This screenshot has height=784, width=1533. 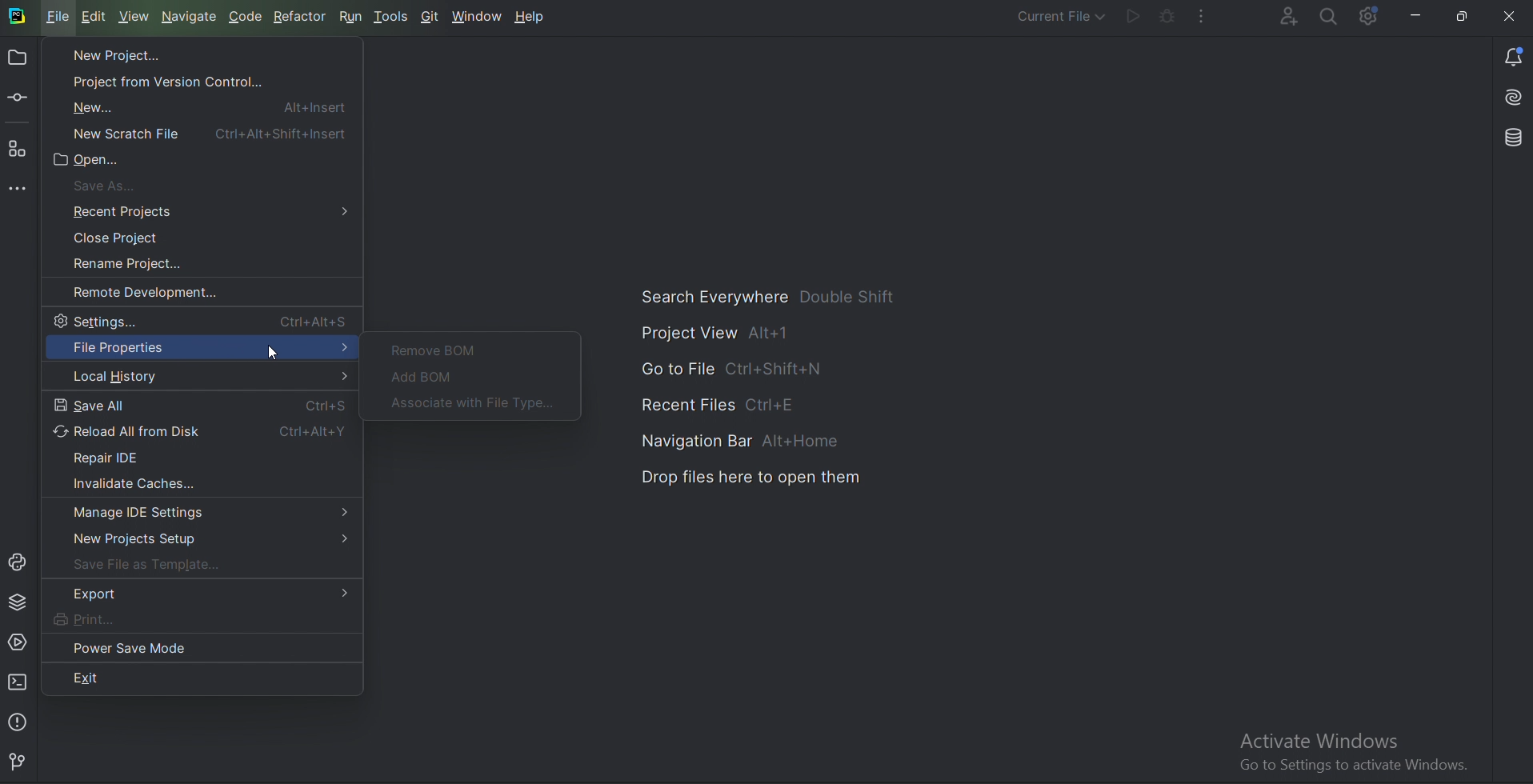 What do you see at coordinates (478, 17) in the screenshot?
I see `Window` at bounding box center [478, 17].